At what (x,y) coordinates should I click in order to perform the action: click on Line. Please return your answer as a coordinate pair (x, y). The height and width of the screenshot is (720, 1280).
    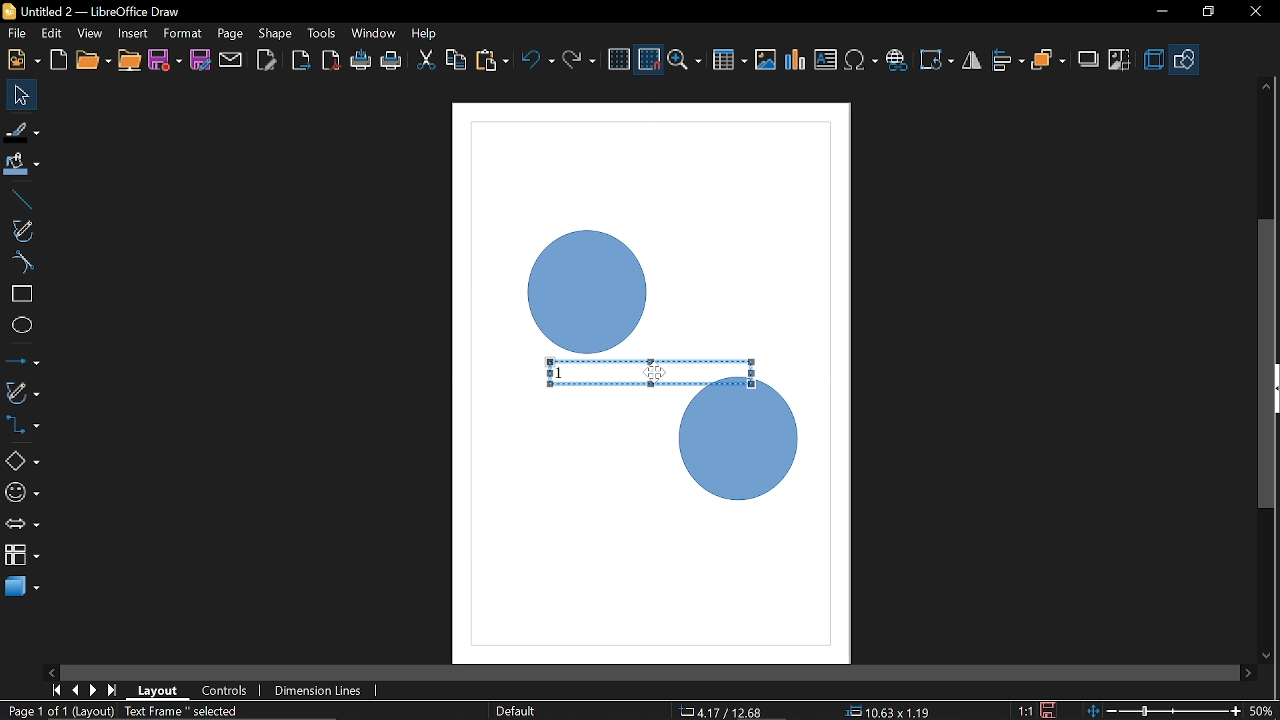
    Looking at the image, I should click on (19, 200).